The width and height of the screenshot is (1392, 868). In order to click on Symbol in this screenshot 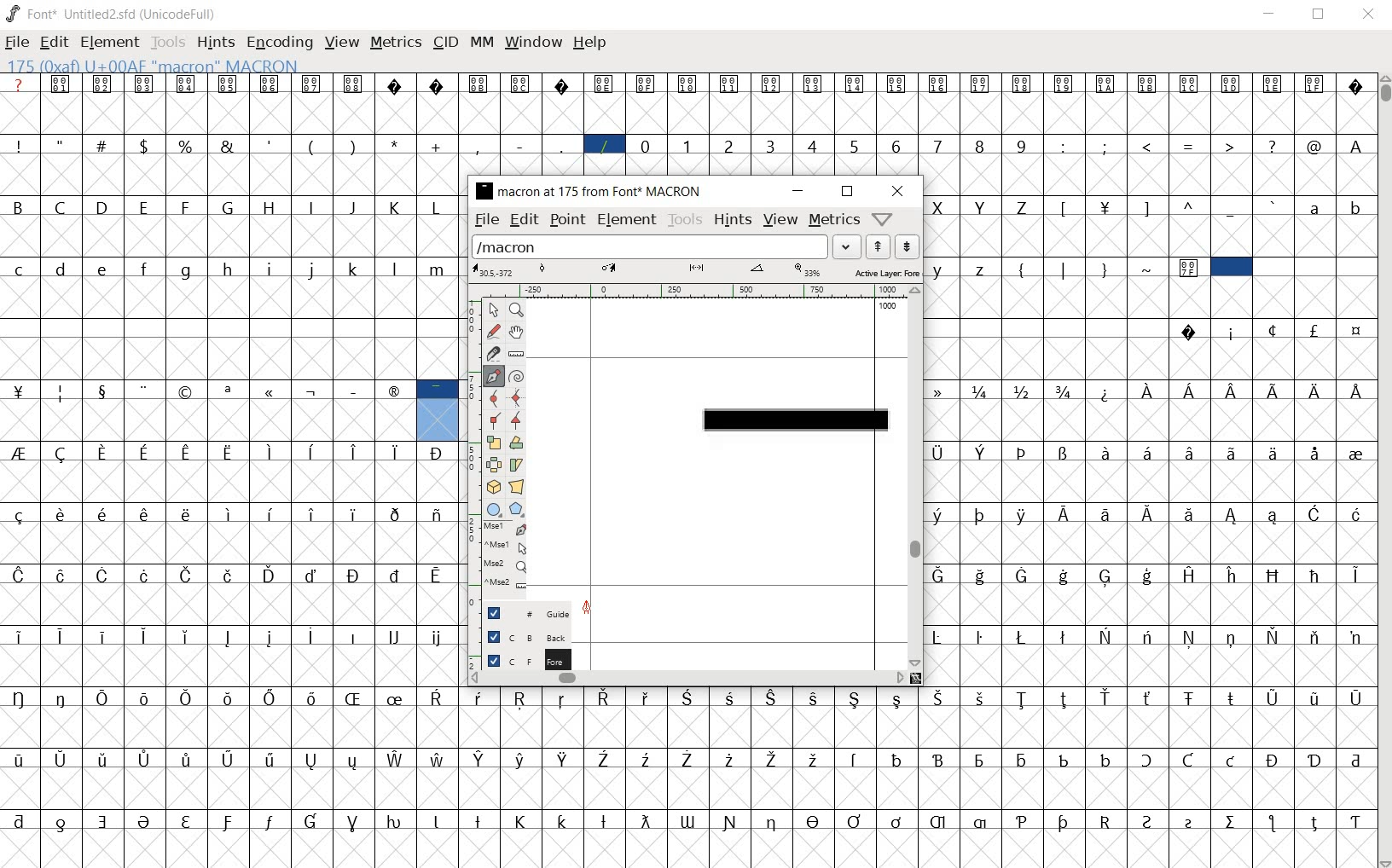, I will do `click(1357, 330)`.